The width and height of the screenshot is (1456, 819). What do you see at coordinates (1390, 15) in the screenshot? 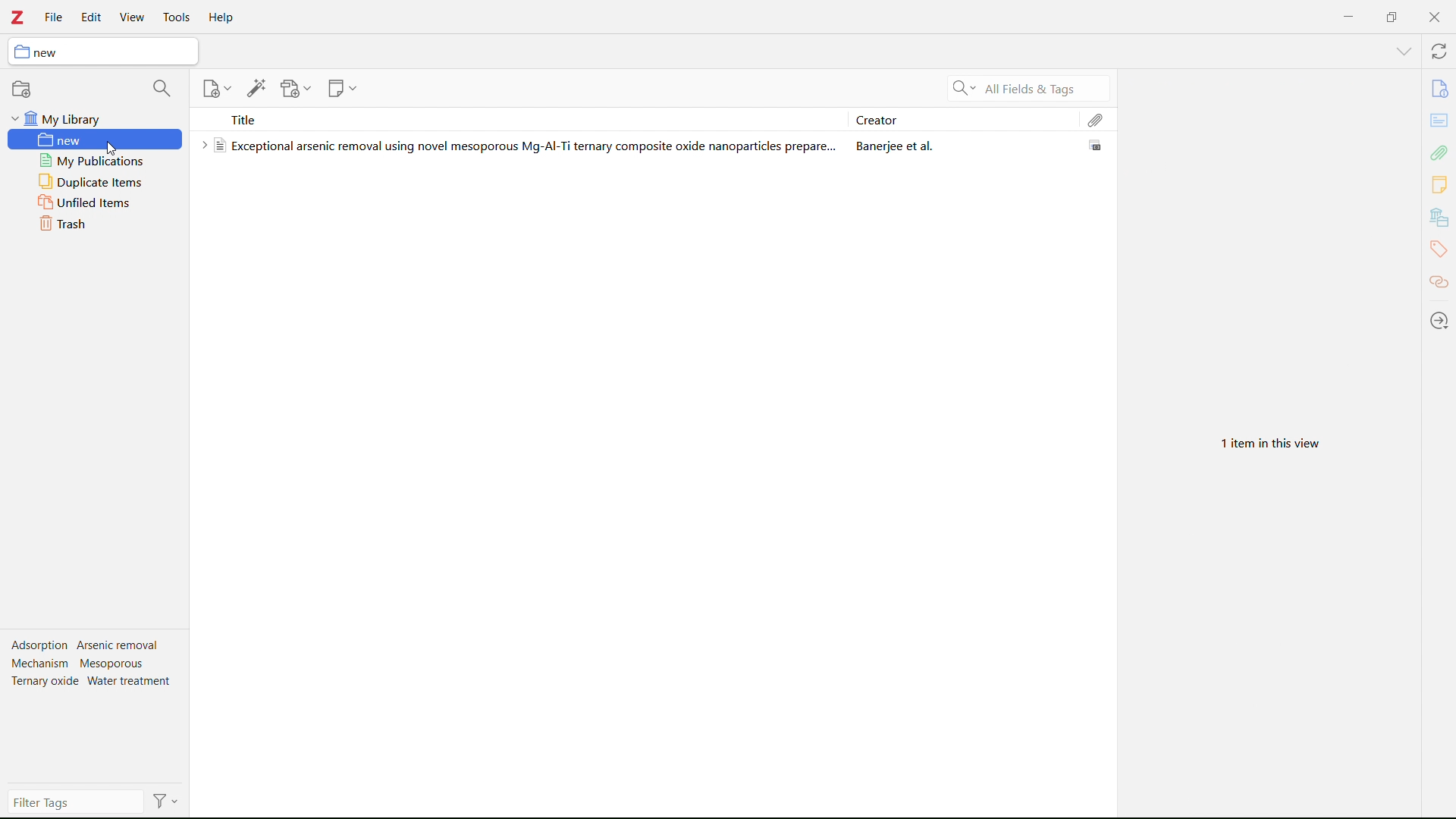
I see `maximize` at bounding box center [1390, 15].